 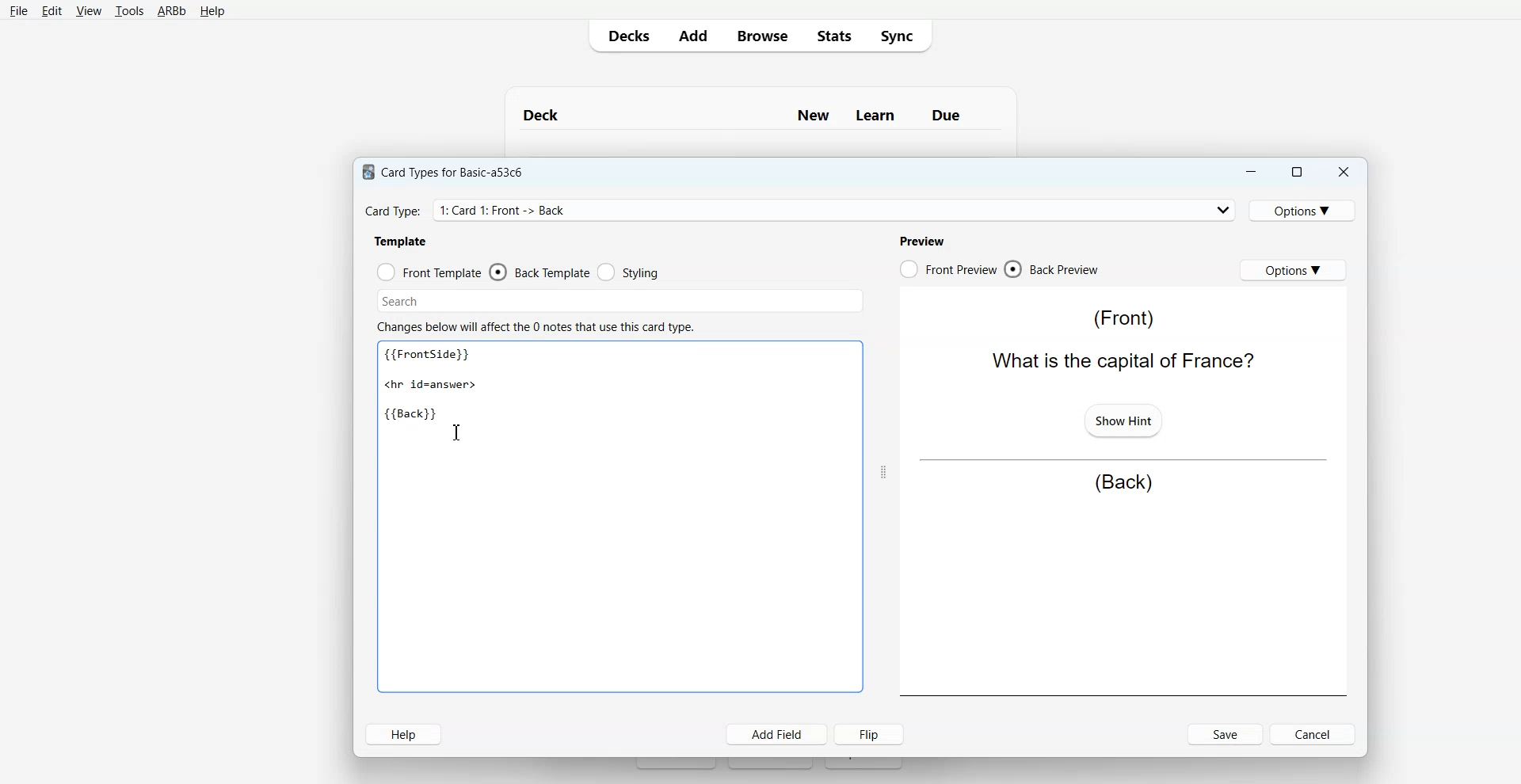 I want to click on Sync, so click(x=902, y=35).